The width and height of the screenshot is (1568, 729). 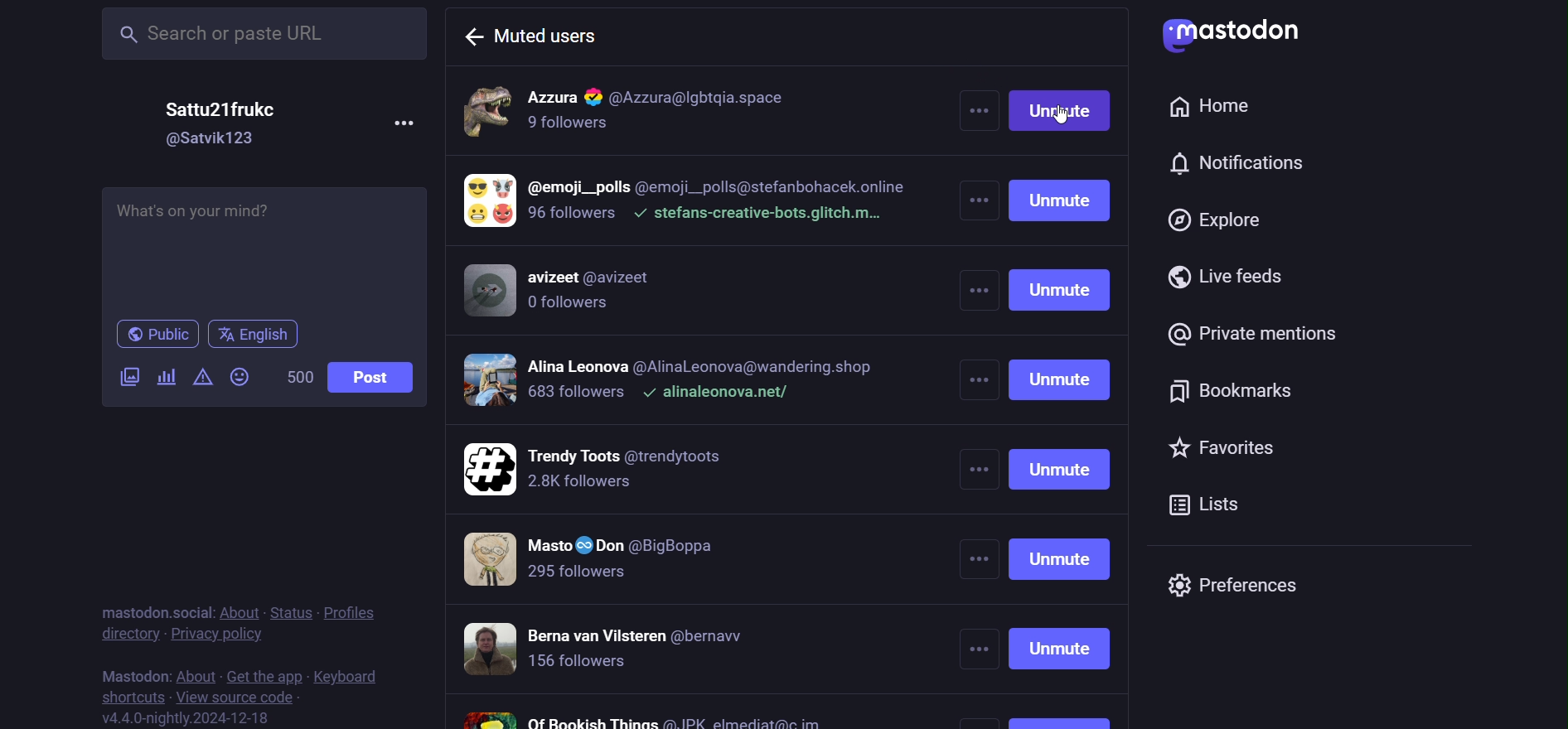 What do you see at coordinates (576, 295) in the screenshot?
I see `muted user 3` at bounding box center [576, 295].